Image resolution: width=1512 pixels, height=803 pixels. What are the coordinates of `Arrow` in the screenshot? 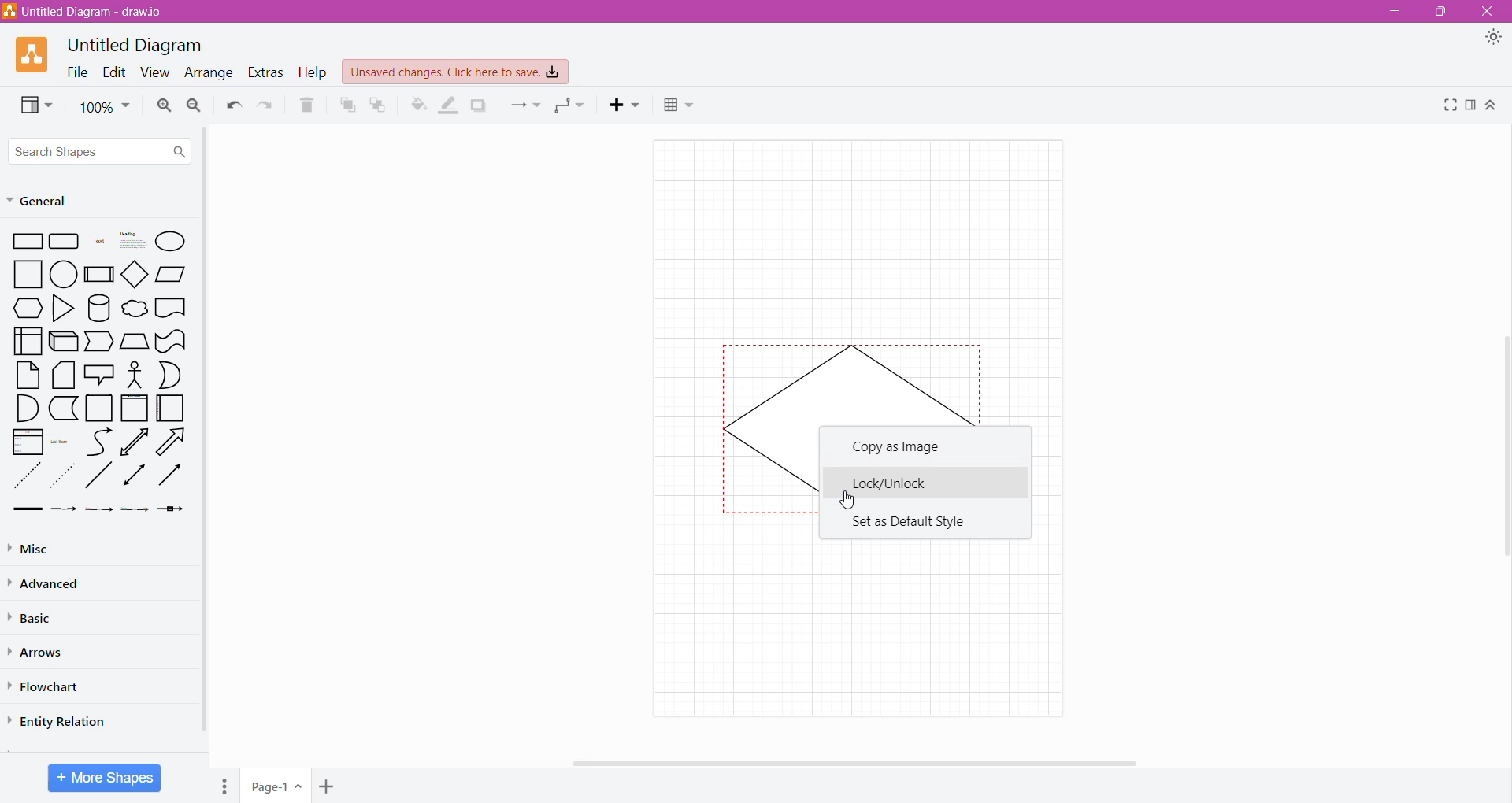 It's located at (174, 444).